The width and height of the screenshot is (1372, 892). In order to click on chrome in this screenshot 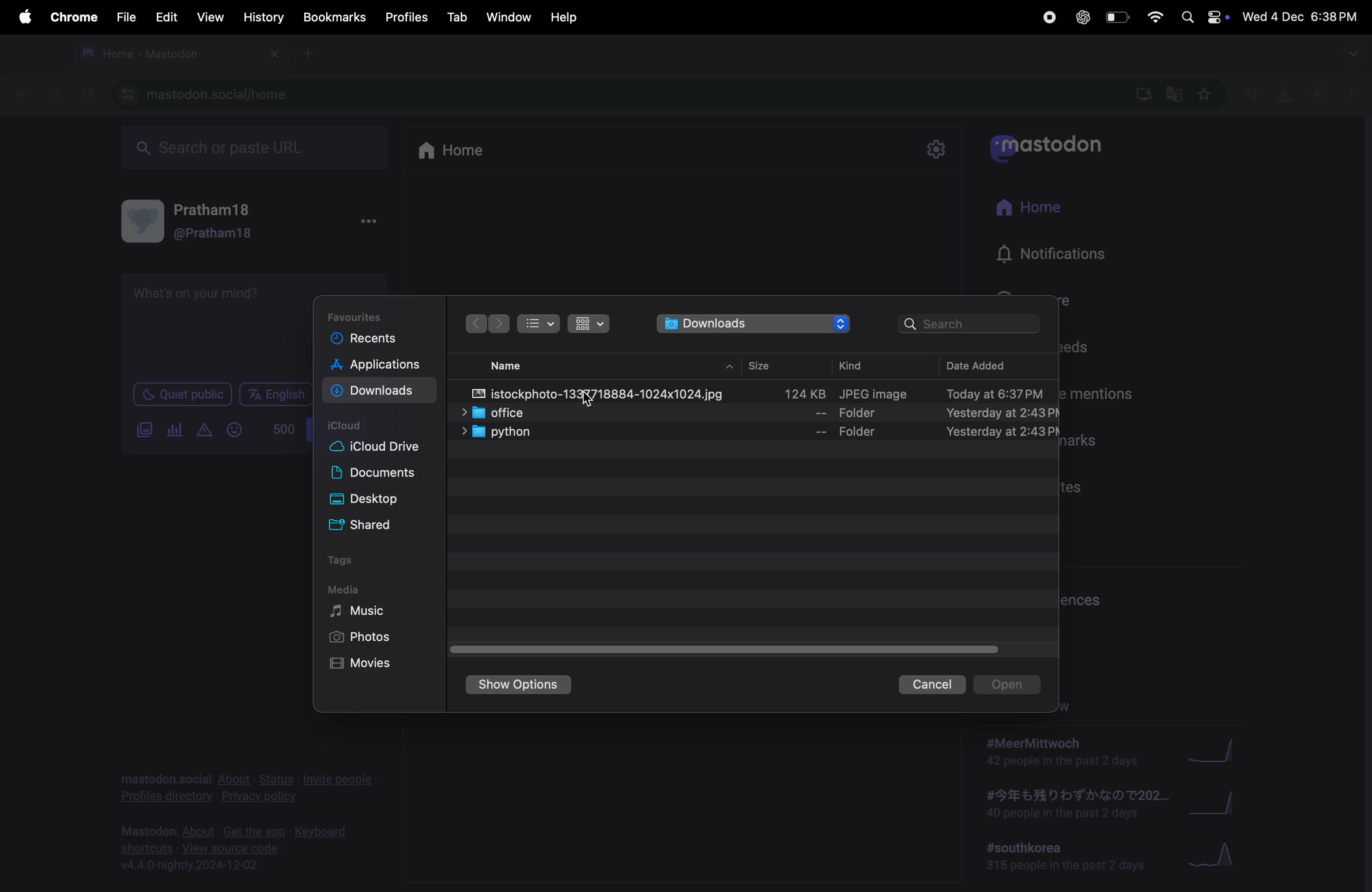, I will do `click(71, 19)`.